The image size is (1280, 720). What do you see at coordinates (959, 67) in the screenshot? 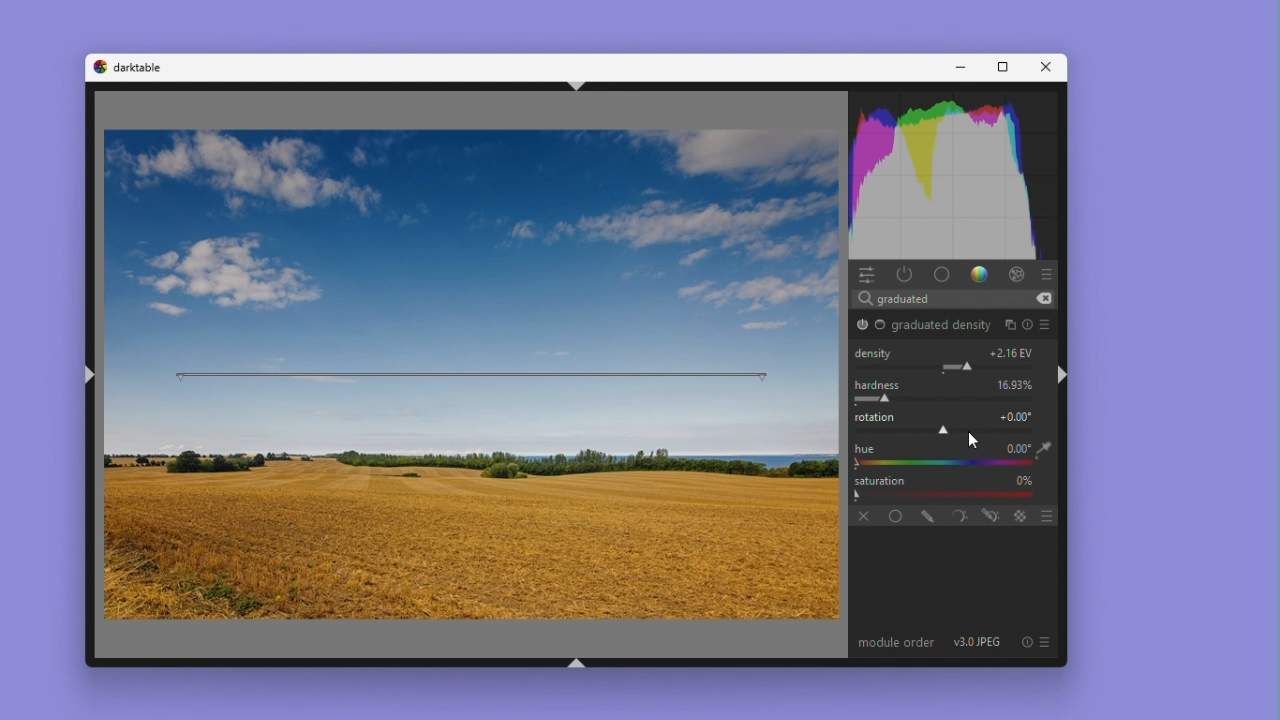
I see `Minimise` at bounding box center [959, 67].